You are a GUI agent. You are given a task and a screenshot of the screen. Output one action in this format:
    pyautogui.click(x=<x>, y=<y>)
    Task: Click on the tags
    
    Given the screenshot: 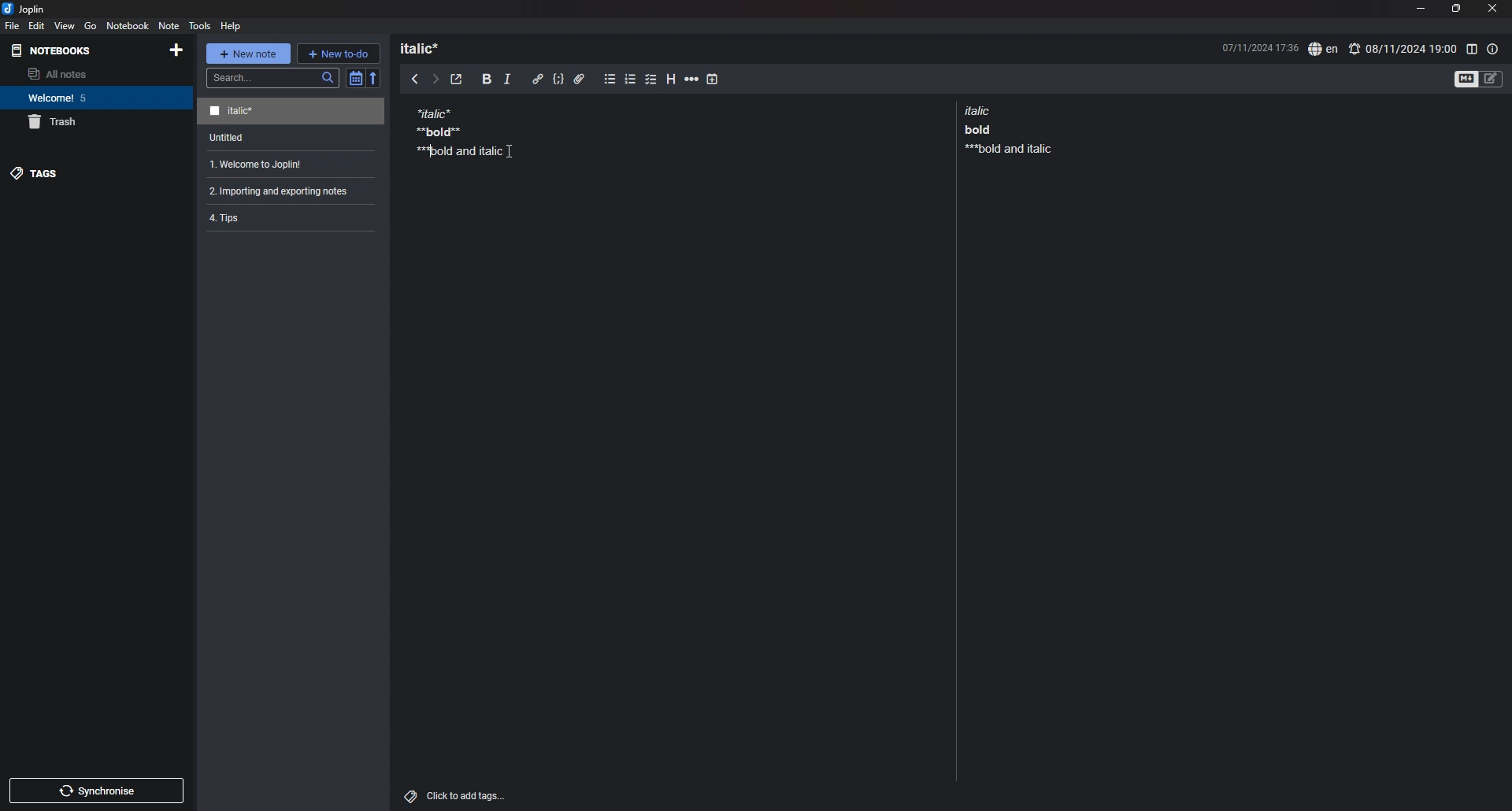 What is the action you would take?
    pyautogui.click(x=95, y=173)
    